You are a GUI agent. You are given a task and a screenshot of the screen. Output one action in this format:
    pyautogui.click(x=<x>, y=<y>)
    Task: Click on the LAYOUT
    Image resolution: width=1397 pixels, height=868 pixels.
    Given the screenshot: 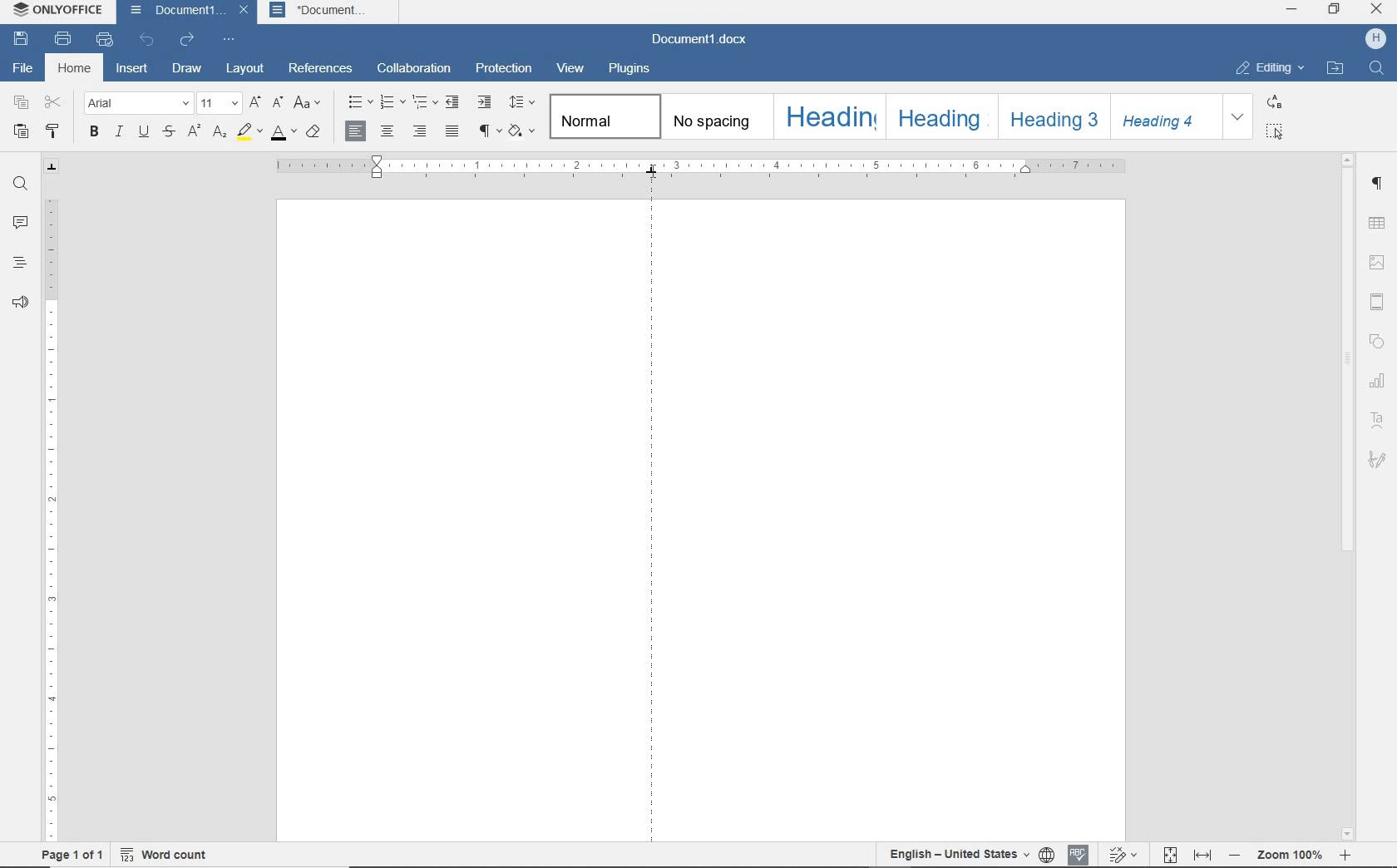 What is the action you would take?
    pyautogui.click(x=242, y=68)
    